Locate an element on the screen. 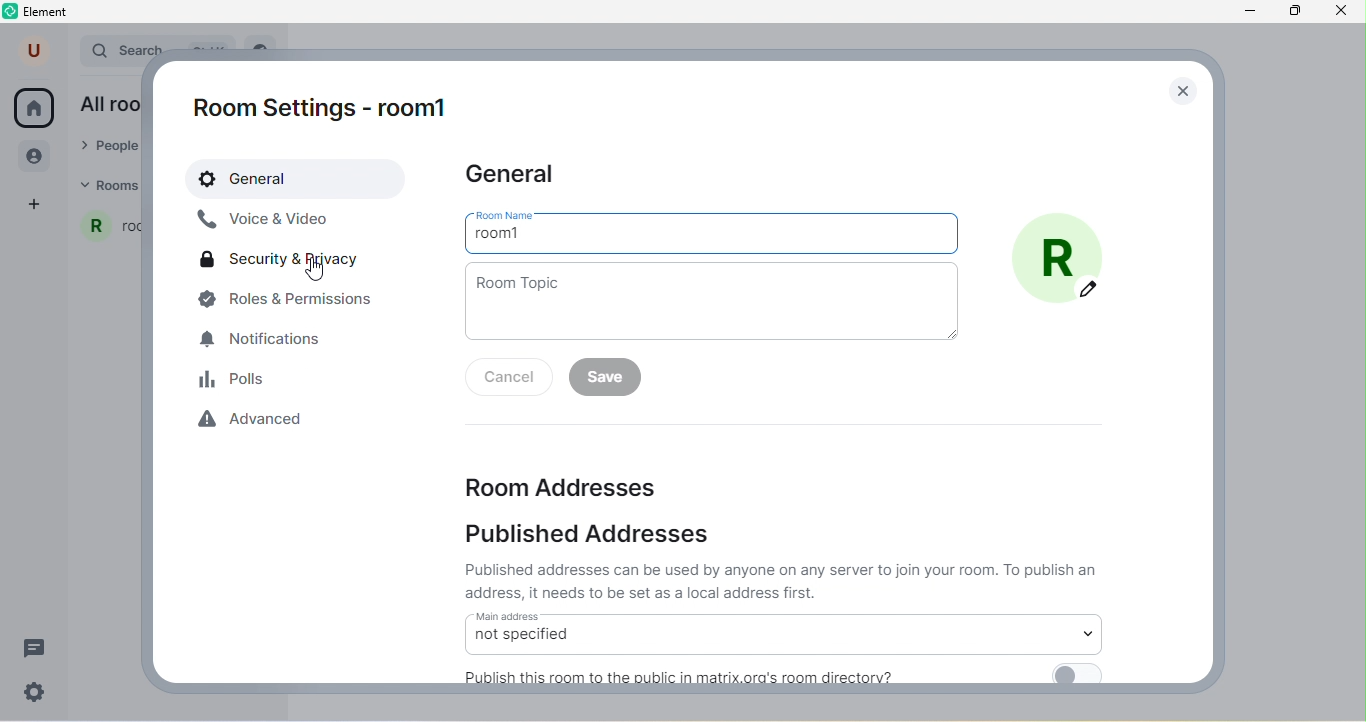 This screenshot has width=1366, height=722. people is located at coordinates (37, 158).